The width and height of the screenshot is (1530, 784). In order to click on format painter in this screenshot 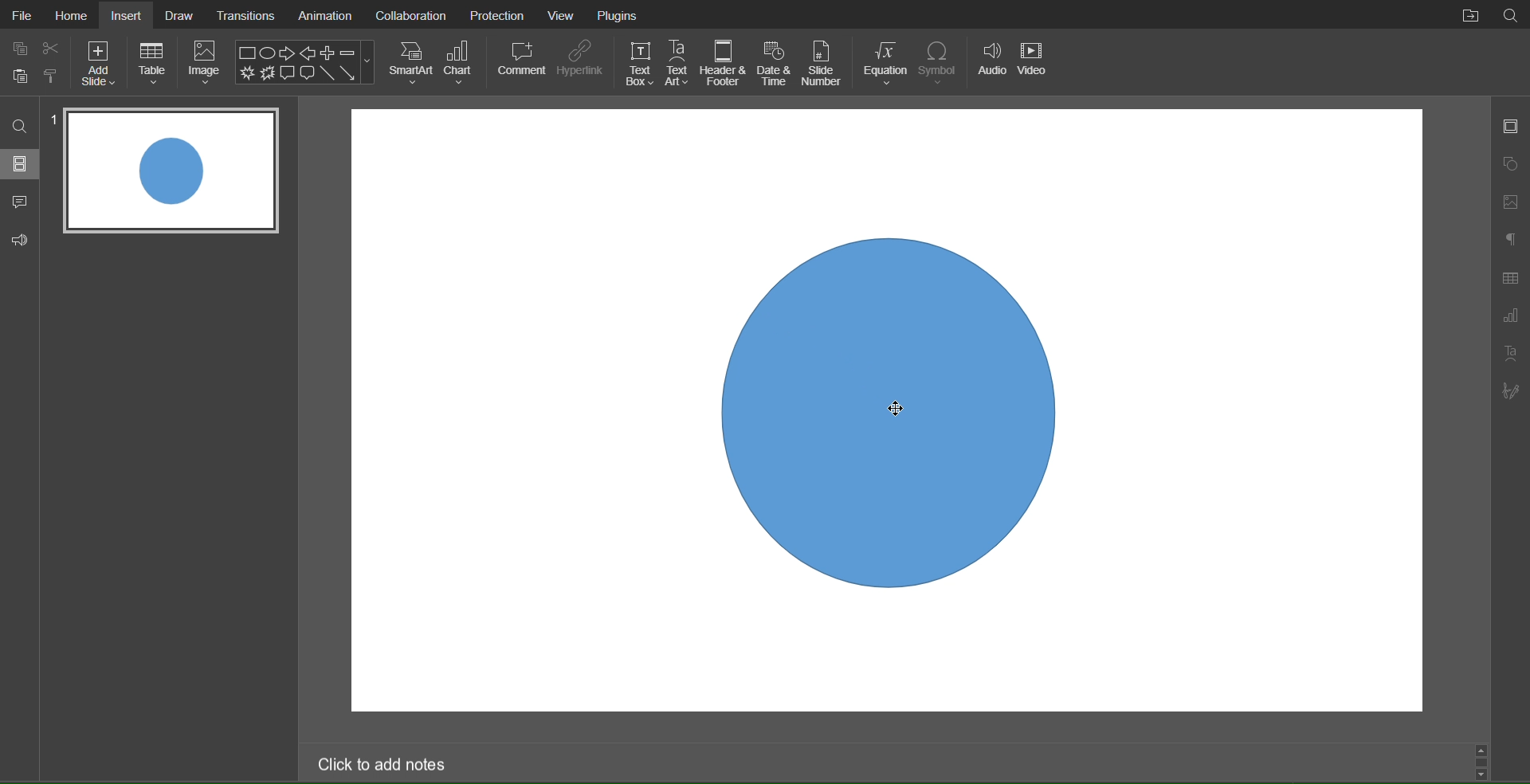, I will do `click(56, 77)`.